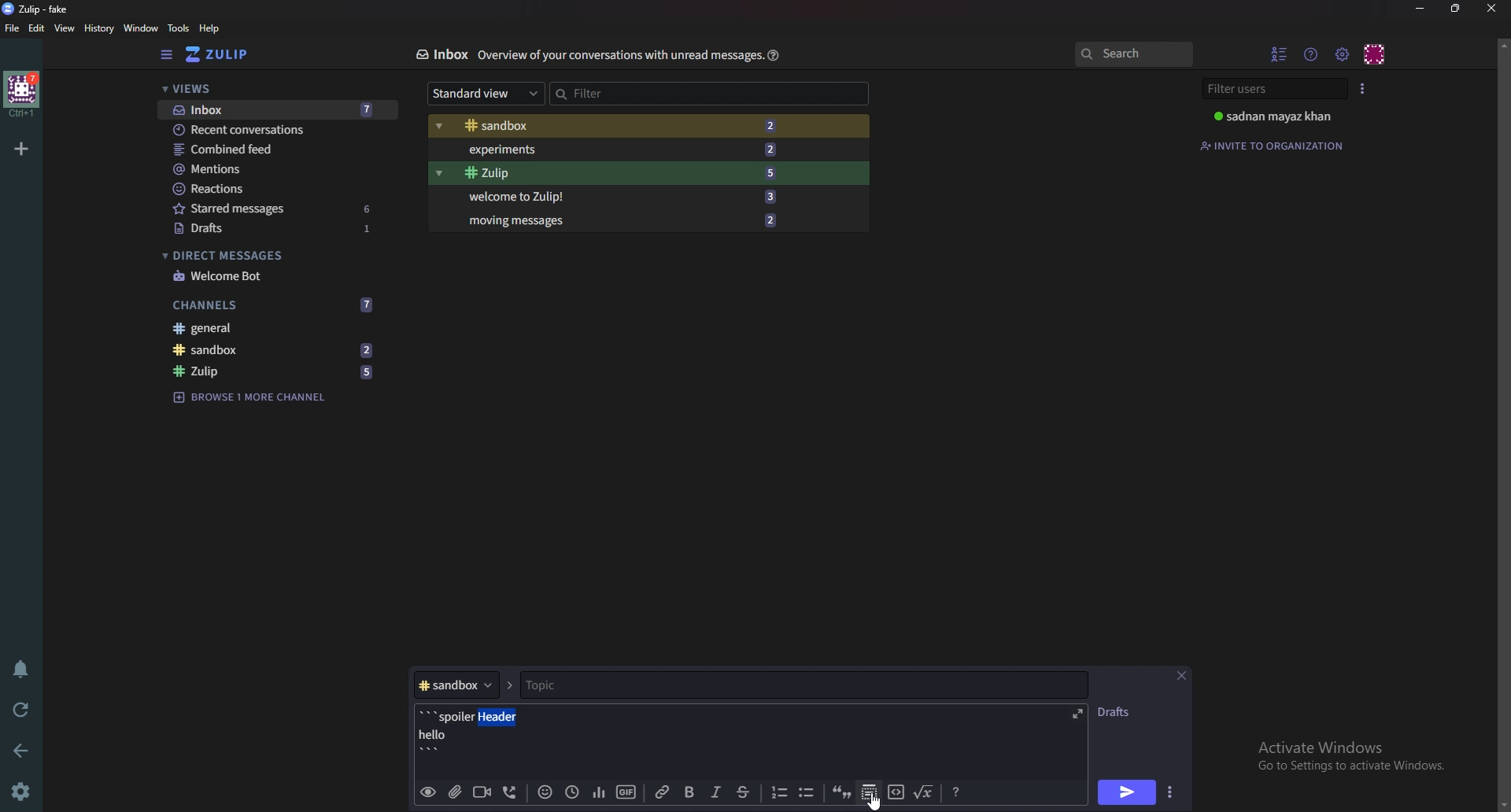  I want to click on Resize, so click(1454, 8).